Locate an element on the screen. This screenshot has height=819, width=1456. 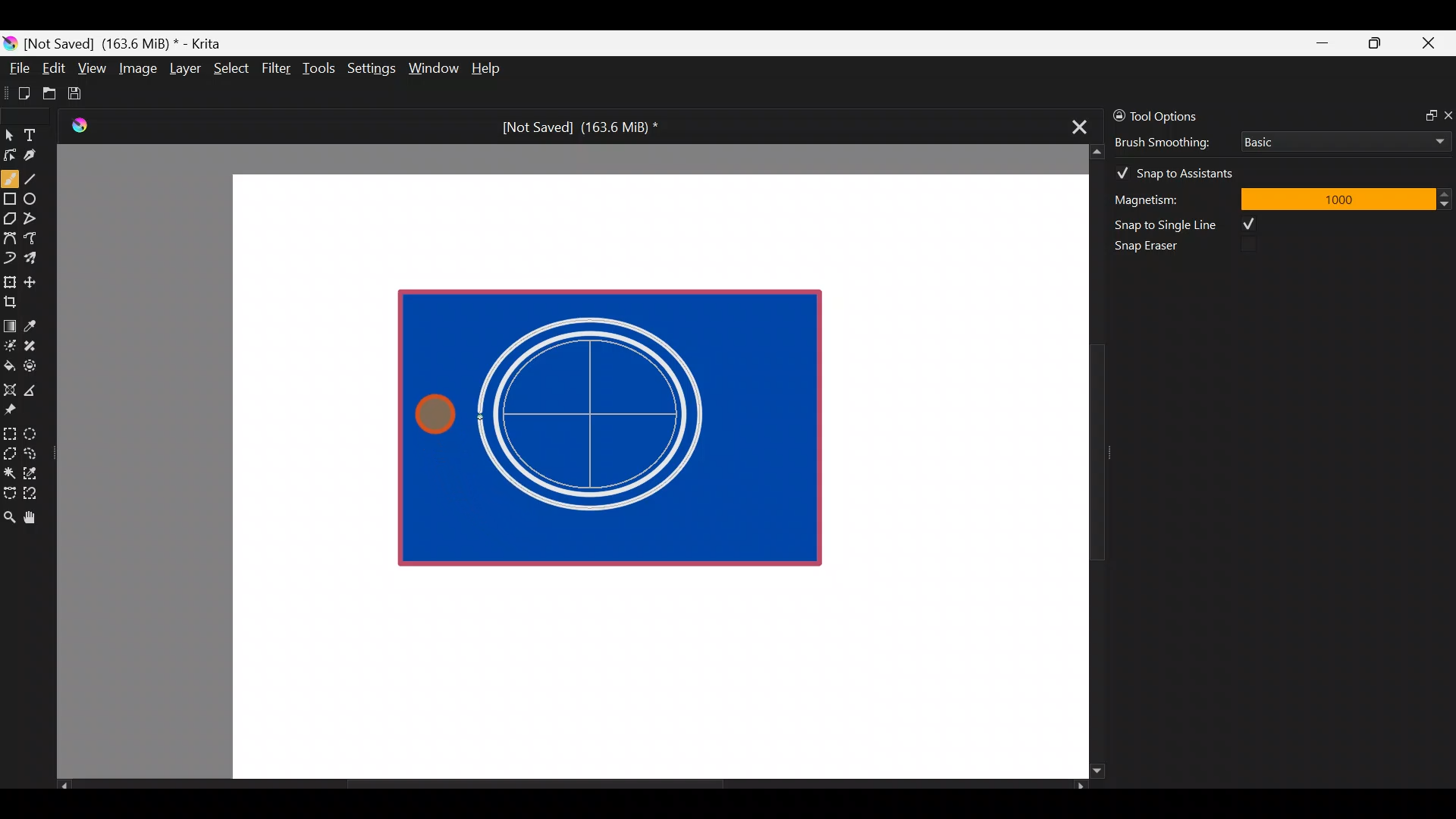
Smart patch tool is located at coordinates (35, 345).